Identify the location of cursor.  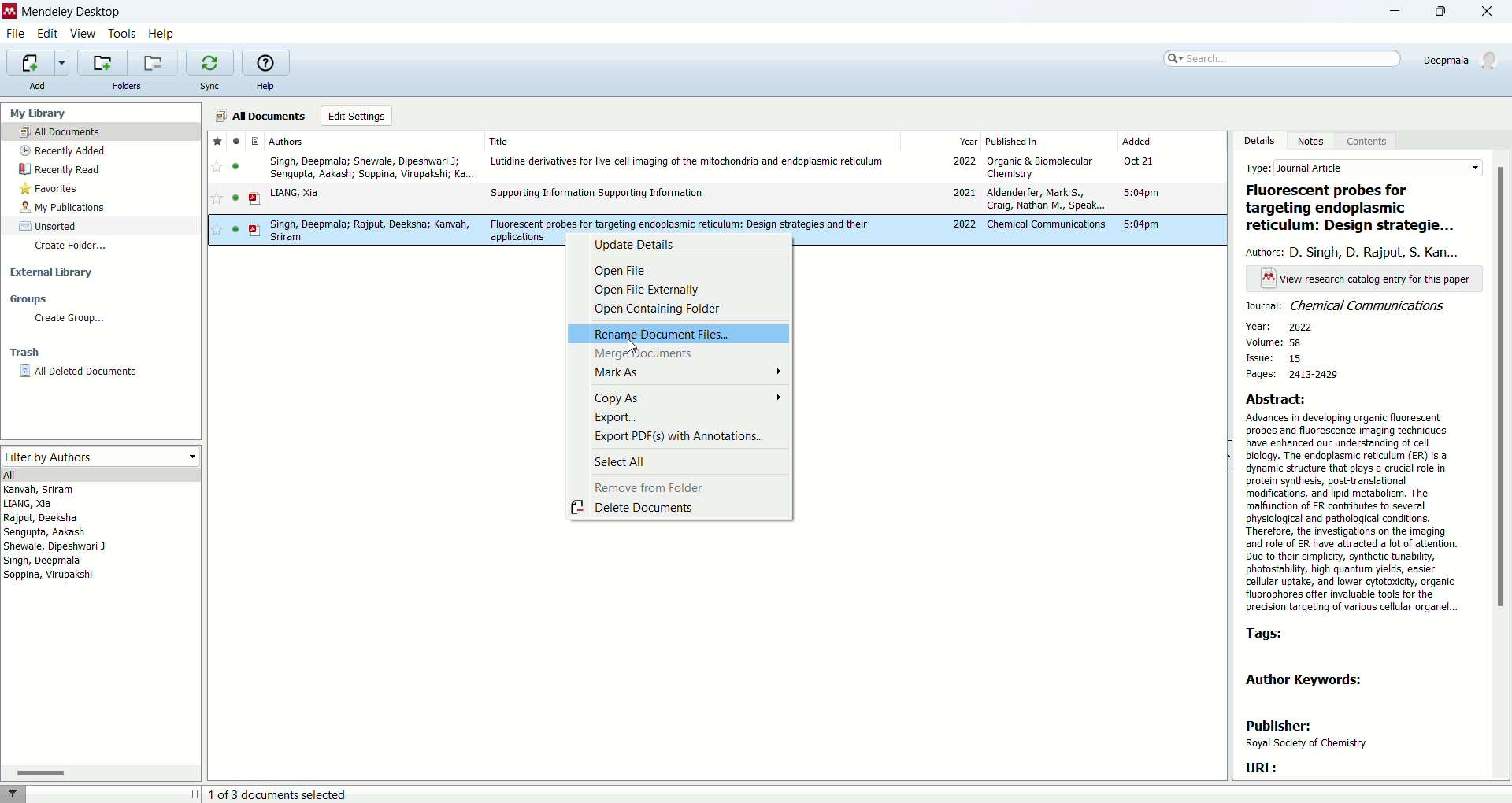
(631, 343).